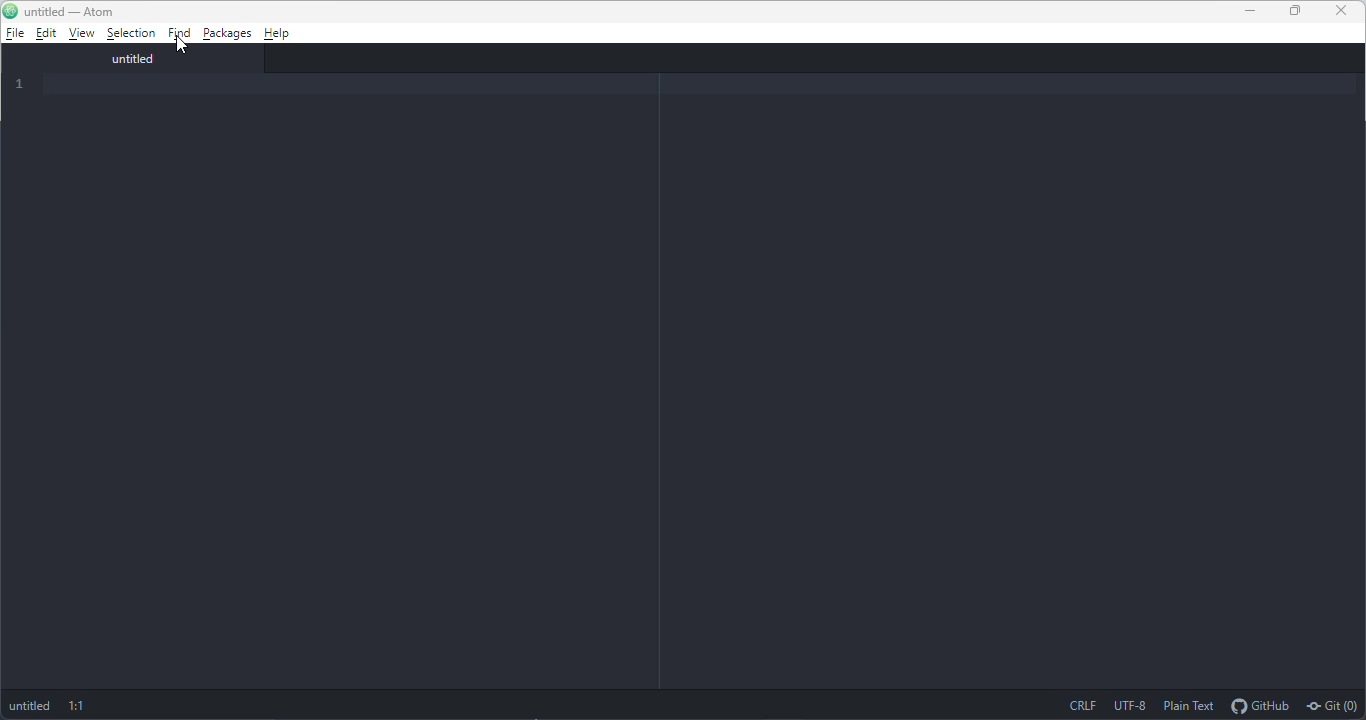  I want to click on maximize, so click(1292, 10).